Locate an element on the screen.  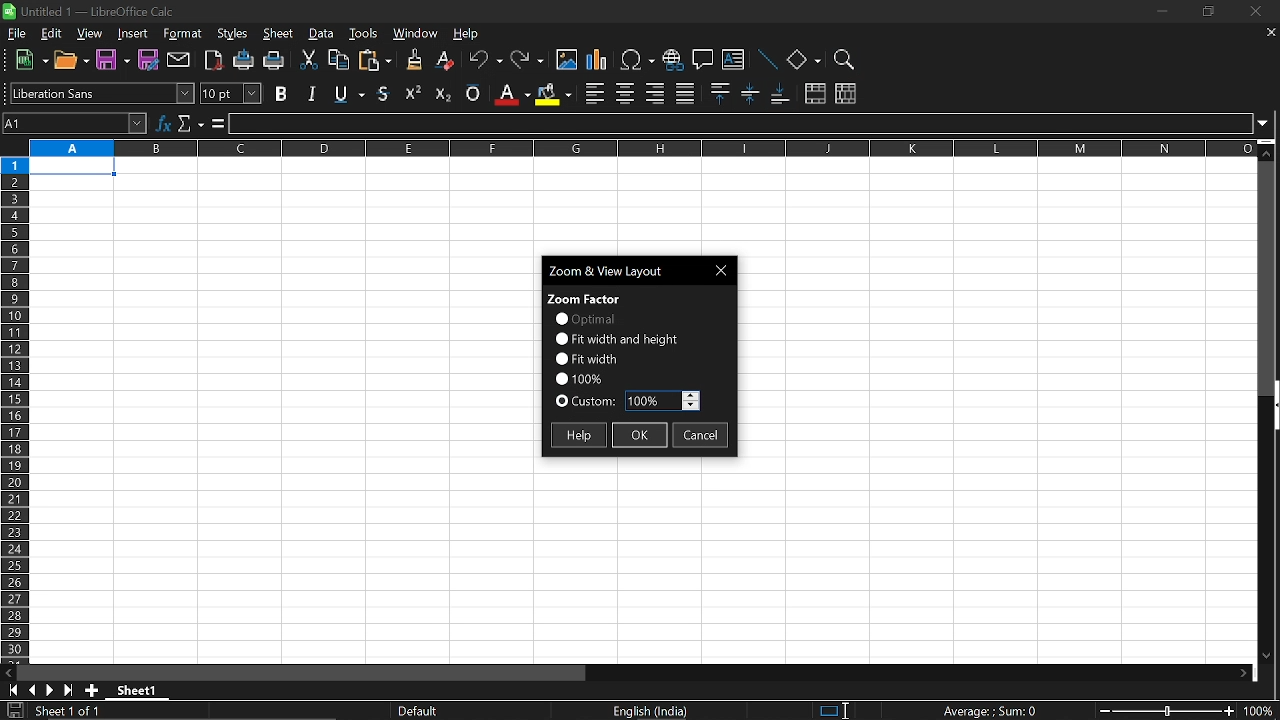
help is located at coordinates (577, 435).